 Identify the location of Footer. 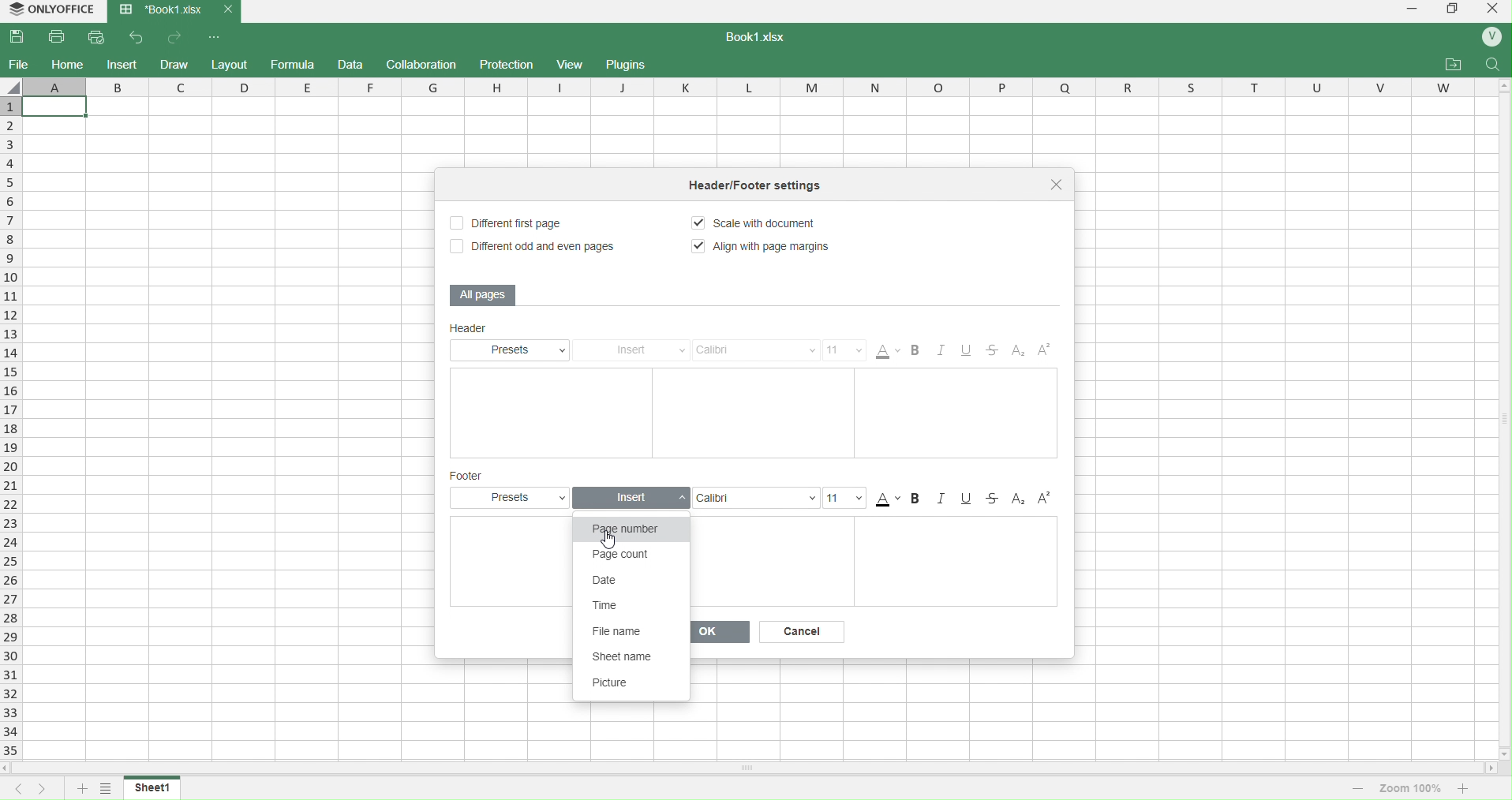
(470, 476).